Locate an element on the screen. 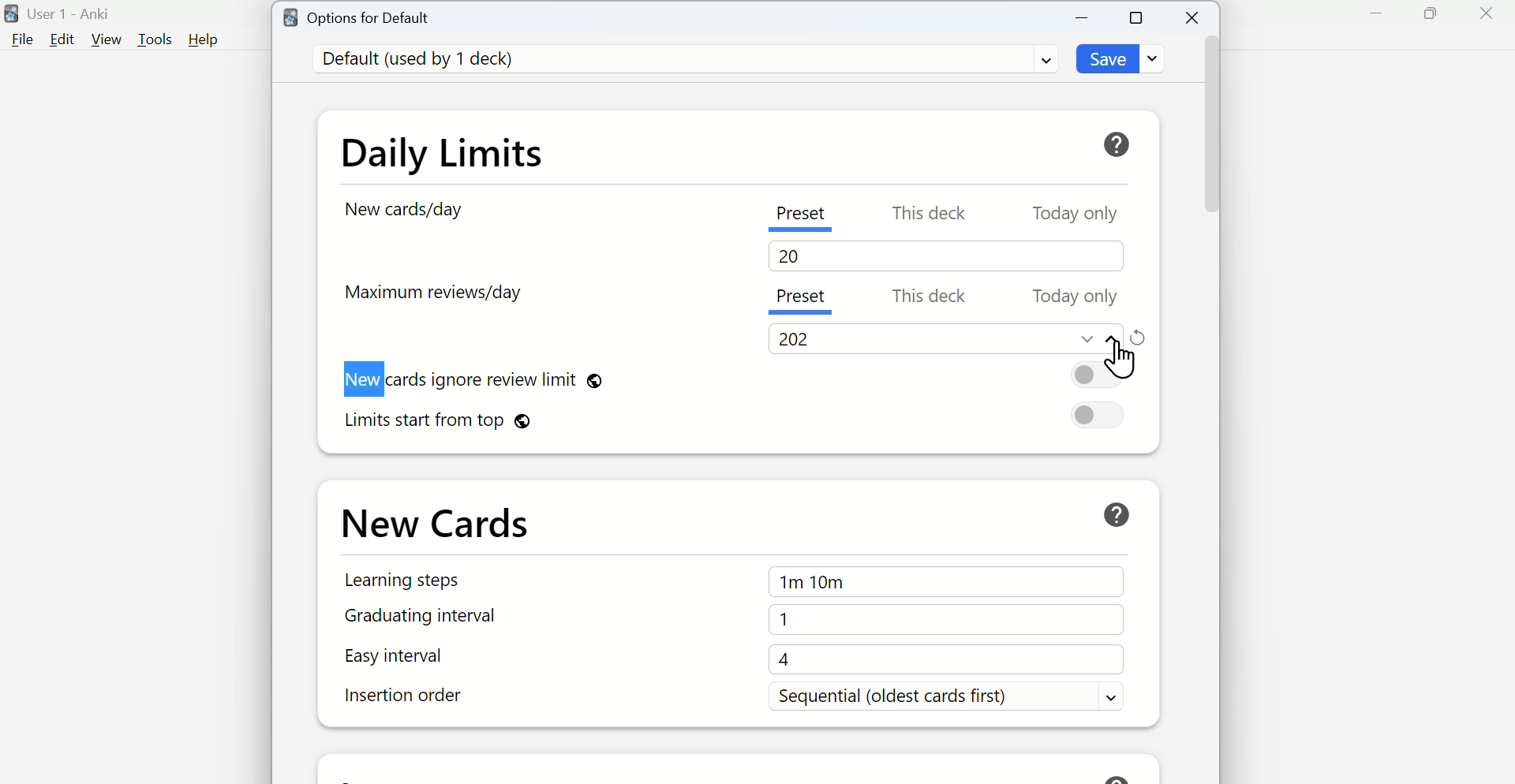  Save is located at coordinates (1123, 58).